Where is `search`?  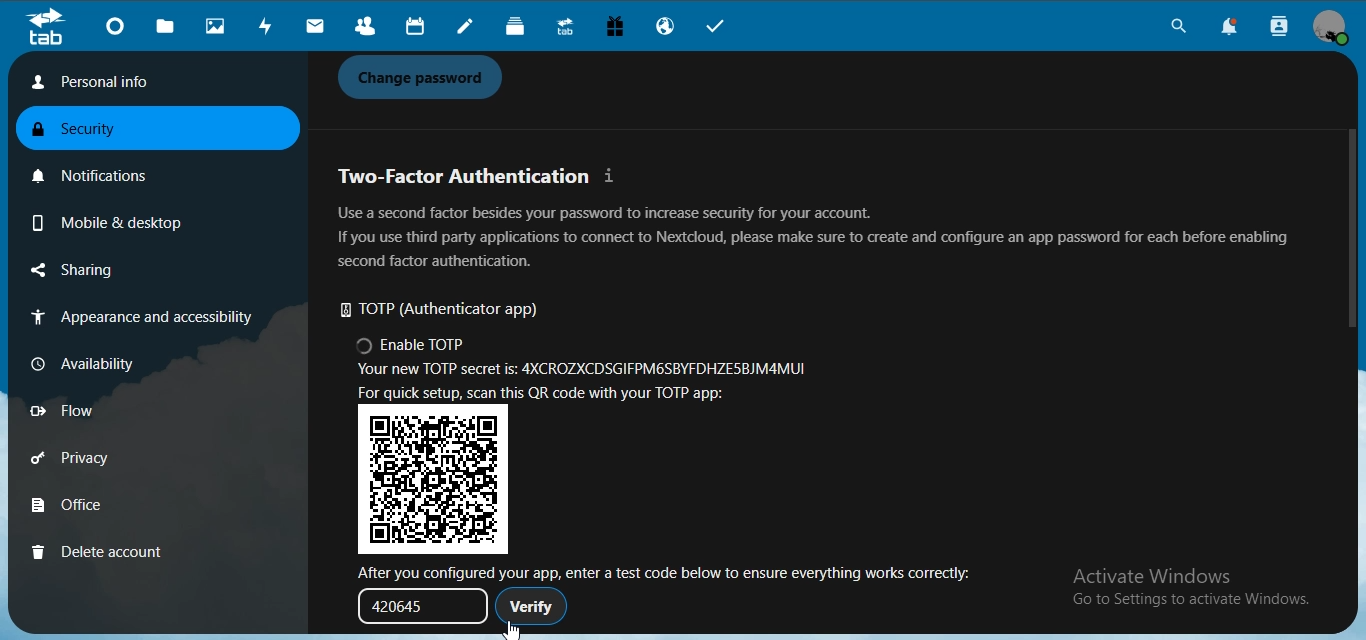
search is located at coordinates (1175, 29).